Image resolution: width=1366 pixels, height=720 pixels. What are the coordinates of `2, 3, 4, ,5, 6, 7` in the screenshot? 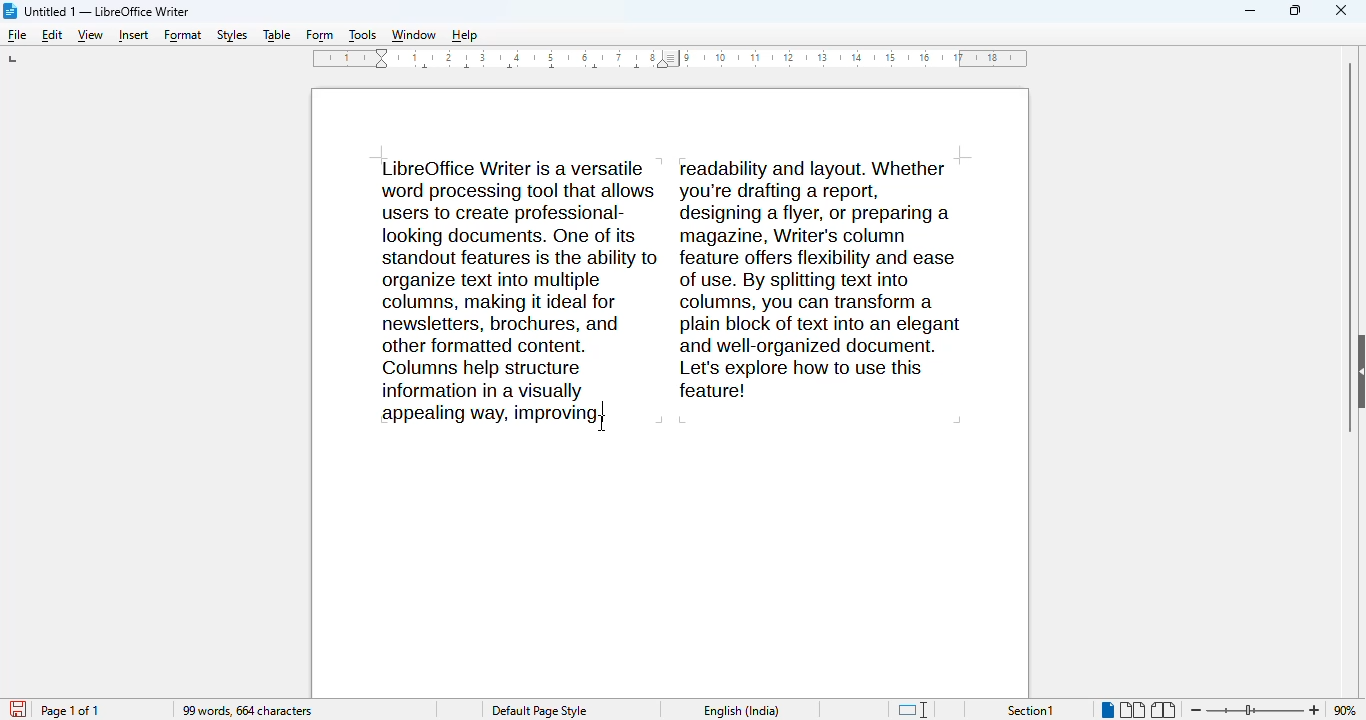 It's located at (529, 54).